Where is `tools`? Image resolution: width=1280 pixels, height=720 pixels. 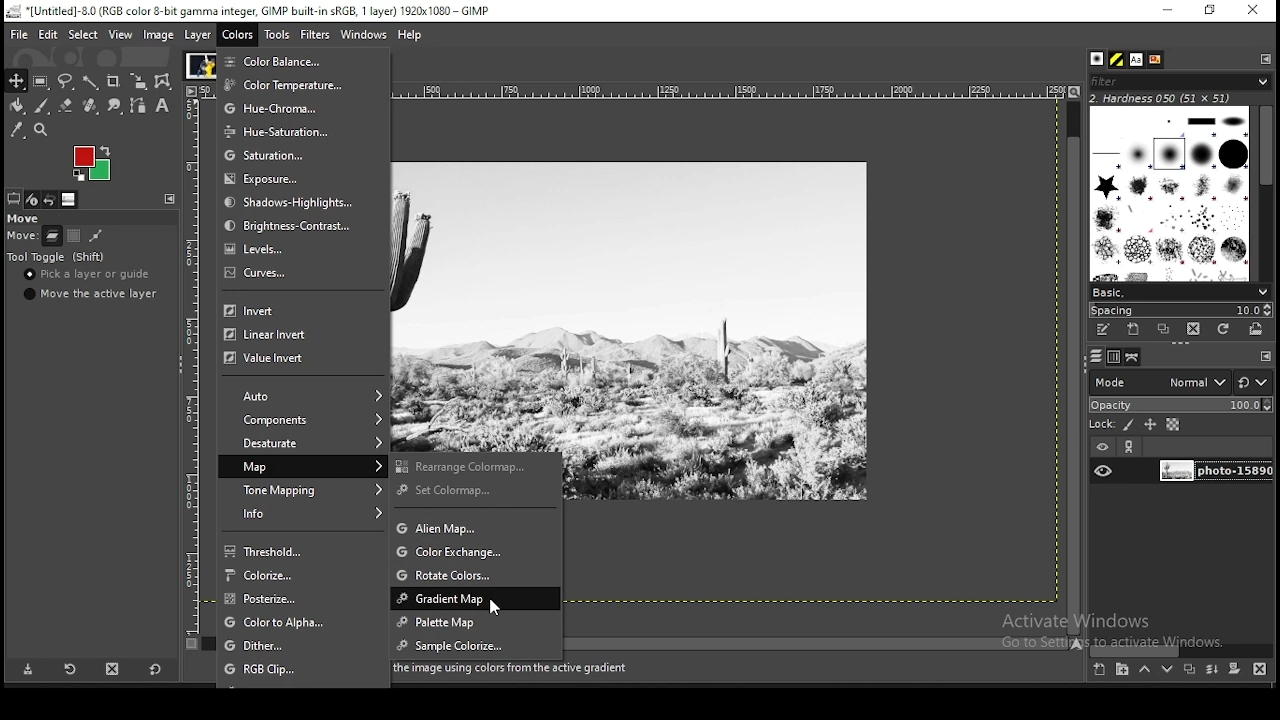
tools is located at coordinates (279, 33).